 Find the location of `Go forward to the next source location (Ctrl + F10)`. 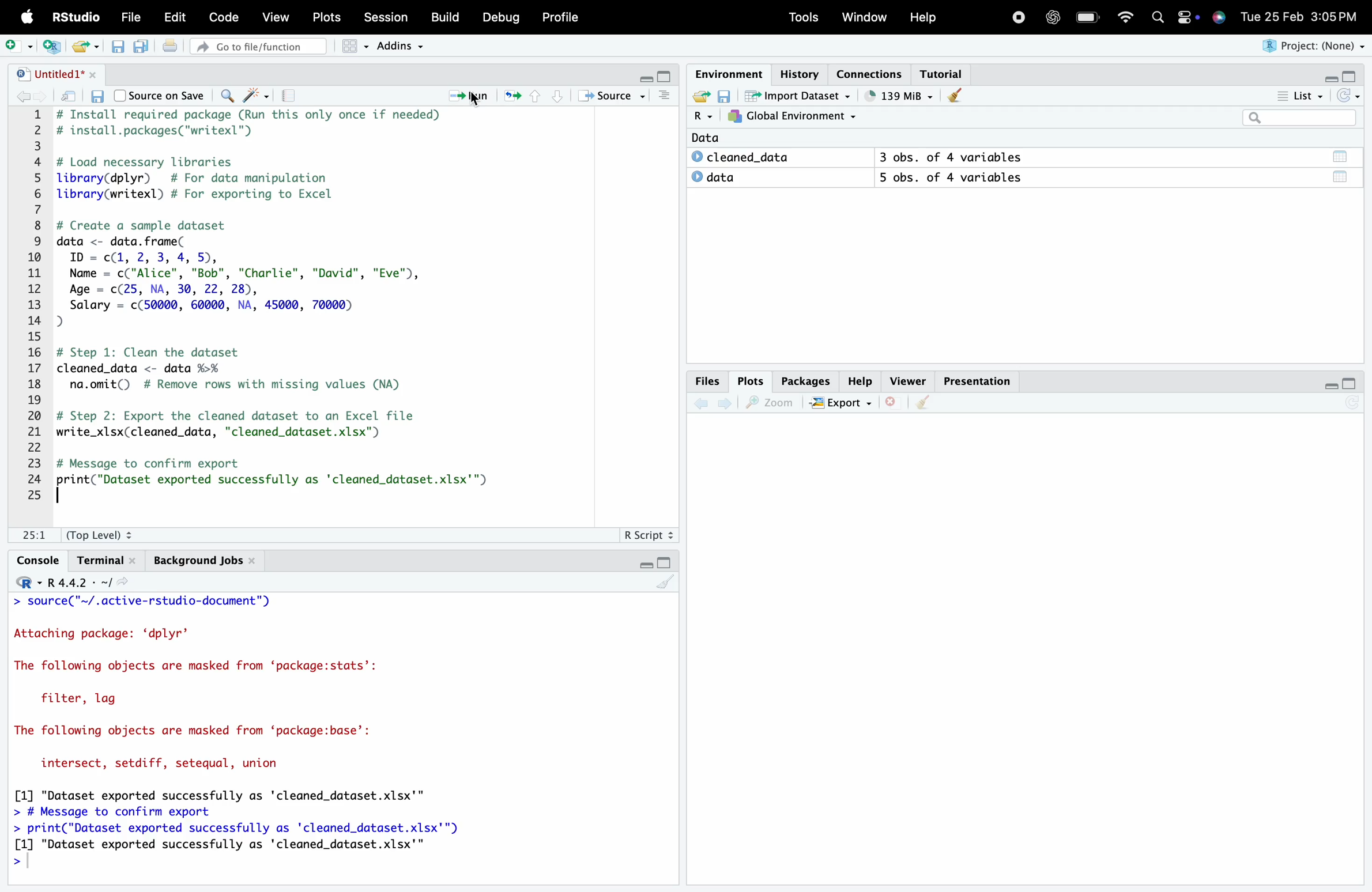

Go forward to the next source location (Ctrl + F10) is located at coordinates (43, 96).